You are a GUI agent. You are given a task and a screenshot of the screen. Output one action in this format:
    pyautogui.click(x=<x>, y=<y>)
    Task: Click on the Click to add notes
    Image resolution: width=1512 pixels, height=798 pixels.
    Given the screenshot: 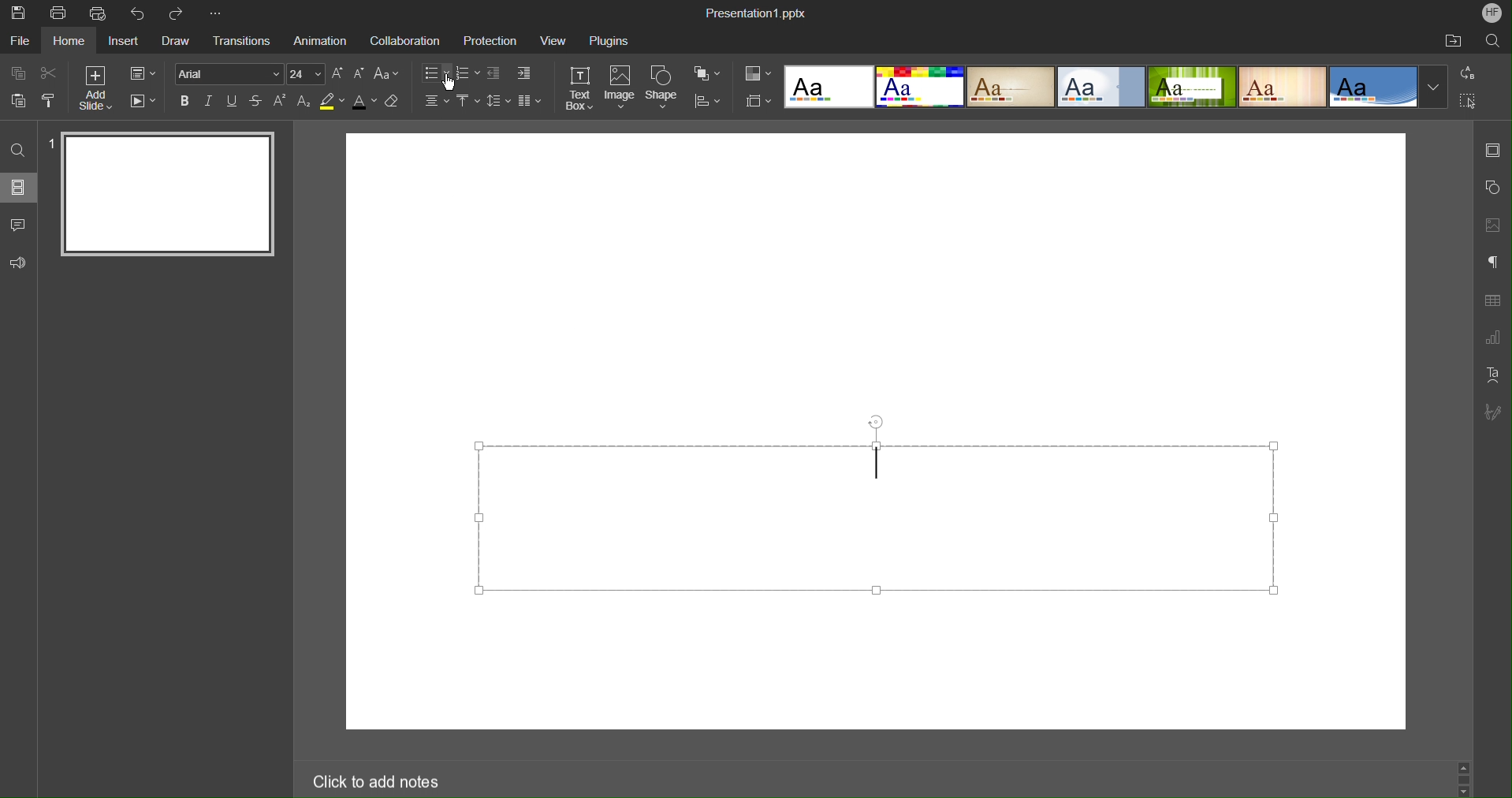 What is the action you would take?
    pyautogui.click(x=380, y=782)
    